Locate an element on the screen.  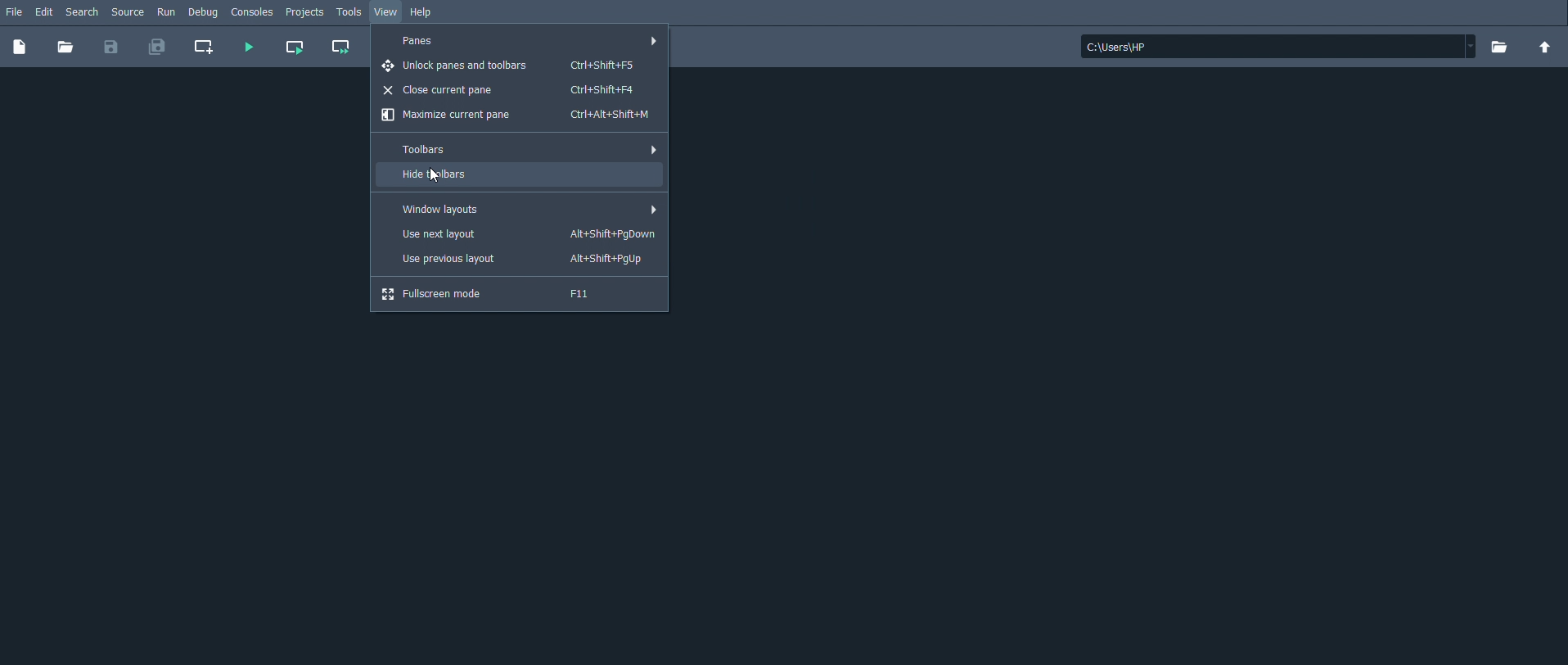
Maximize current pane is located at coordinates (517, 114).